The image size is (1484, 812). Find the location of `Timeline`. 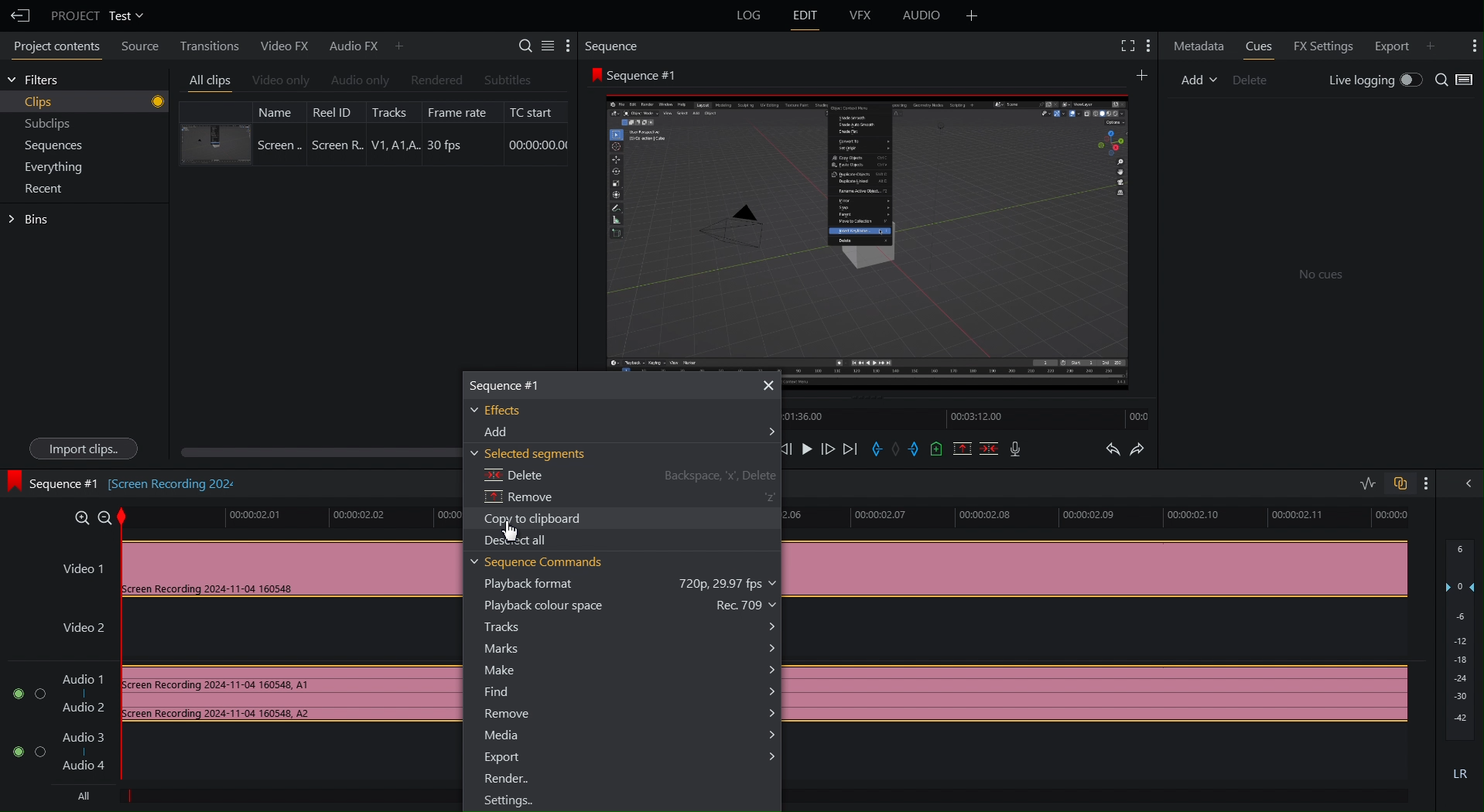

Timeline is located at coordinates (289, 517).